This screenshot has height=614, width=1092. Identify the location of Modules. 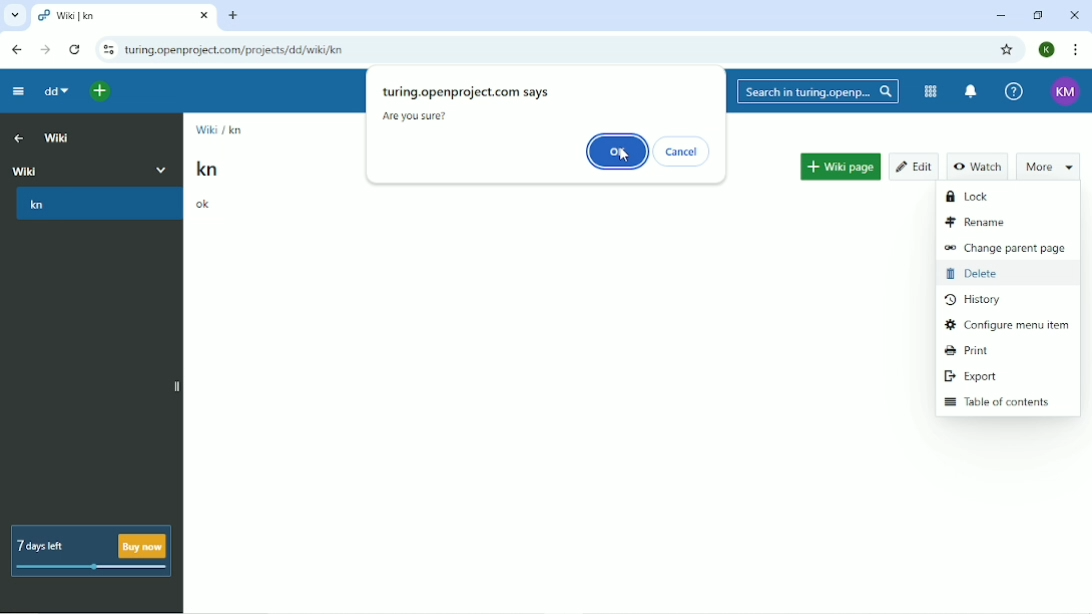
(930, 91).